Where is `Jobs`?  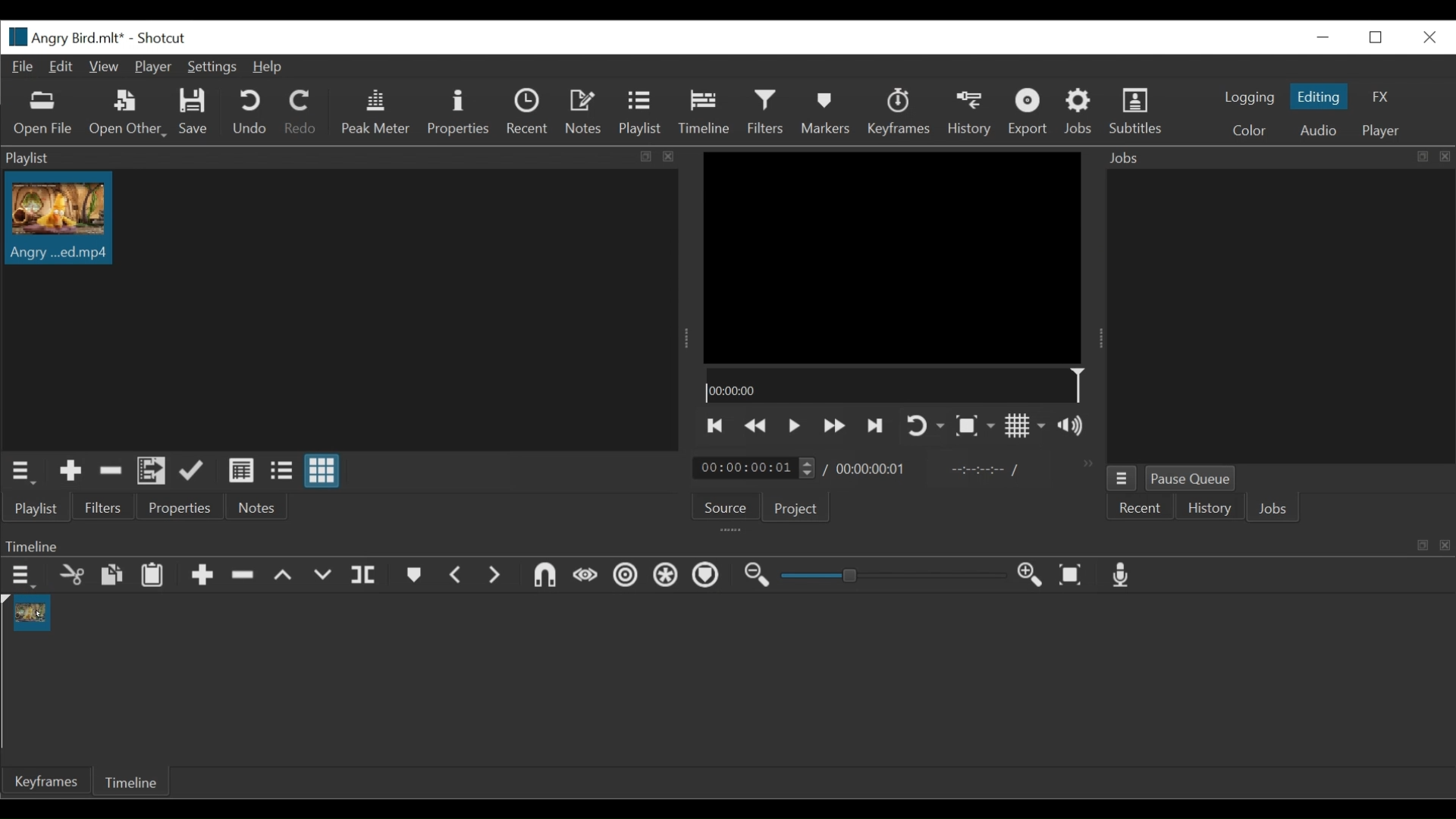 Jobs is located at coordinates (1278, 156).